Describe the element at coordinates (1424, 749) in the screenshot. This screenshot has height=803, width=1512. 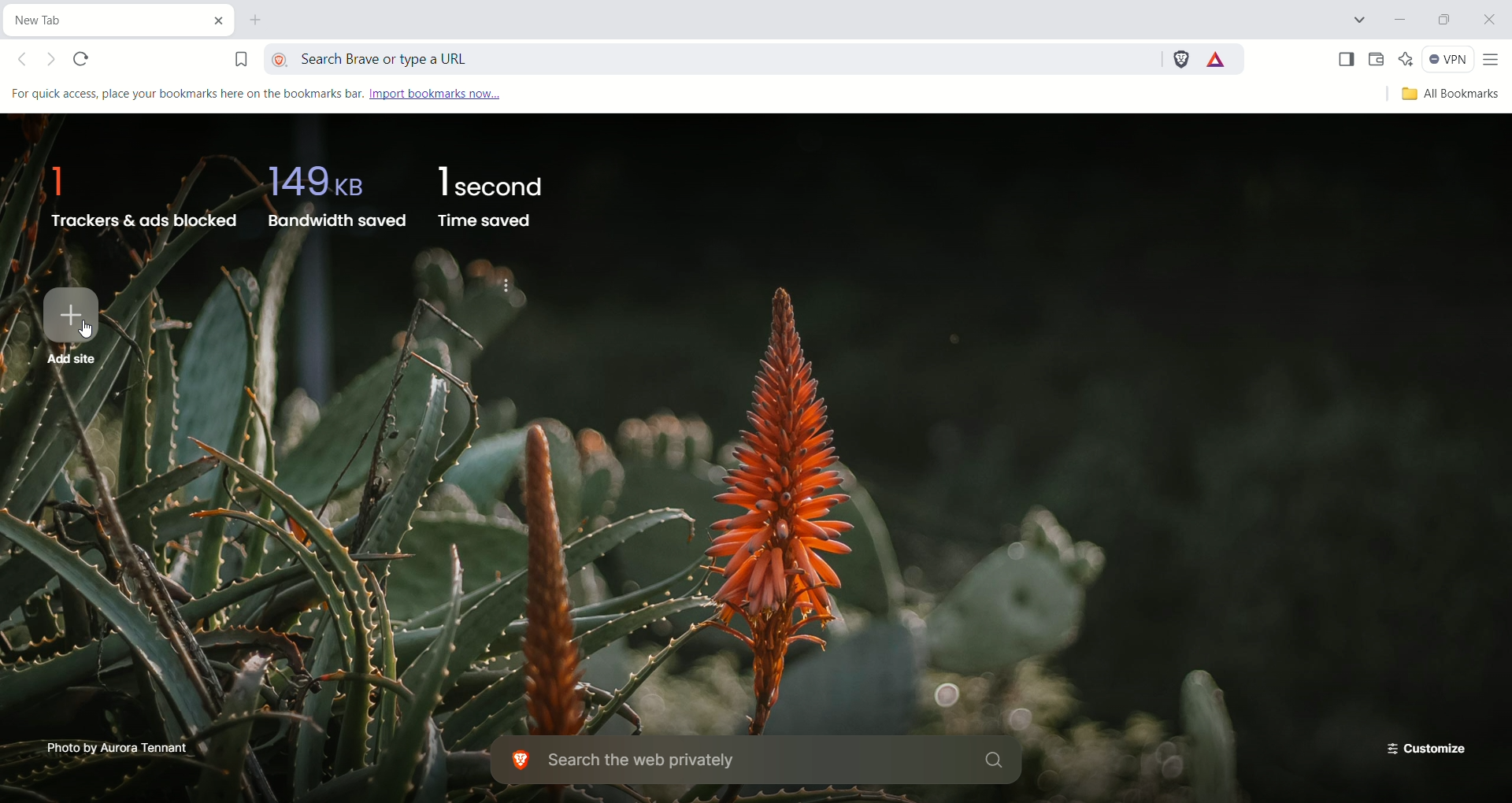
I see `customize` at that location.